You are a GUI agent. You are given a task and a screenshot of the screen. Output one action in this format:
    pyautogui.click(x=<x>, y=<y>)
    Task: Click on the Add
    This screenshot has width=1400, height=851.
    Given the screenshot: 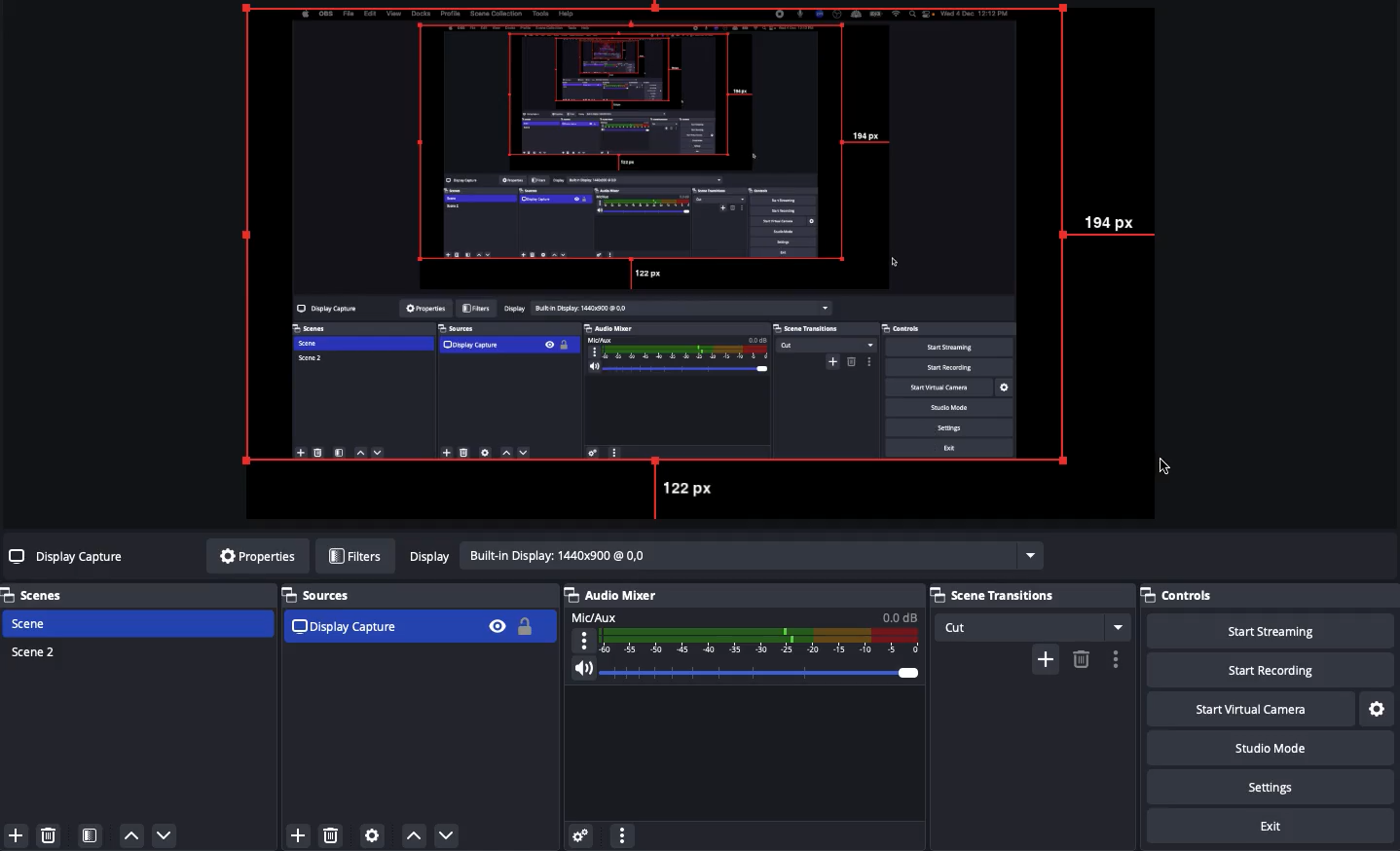 What is the action you would take?
    pyautogui.click(x=298, y=833)
    